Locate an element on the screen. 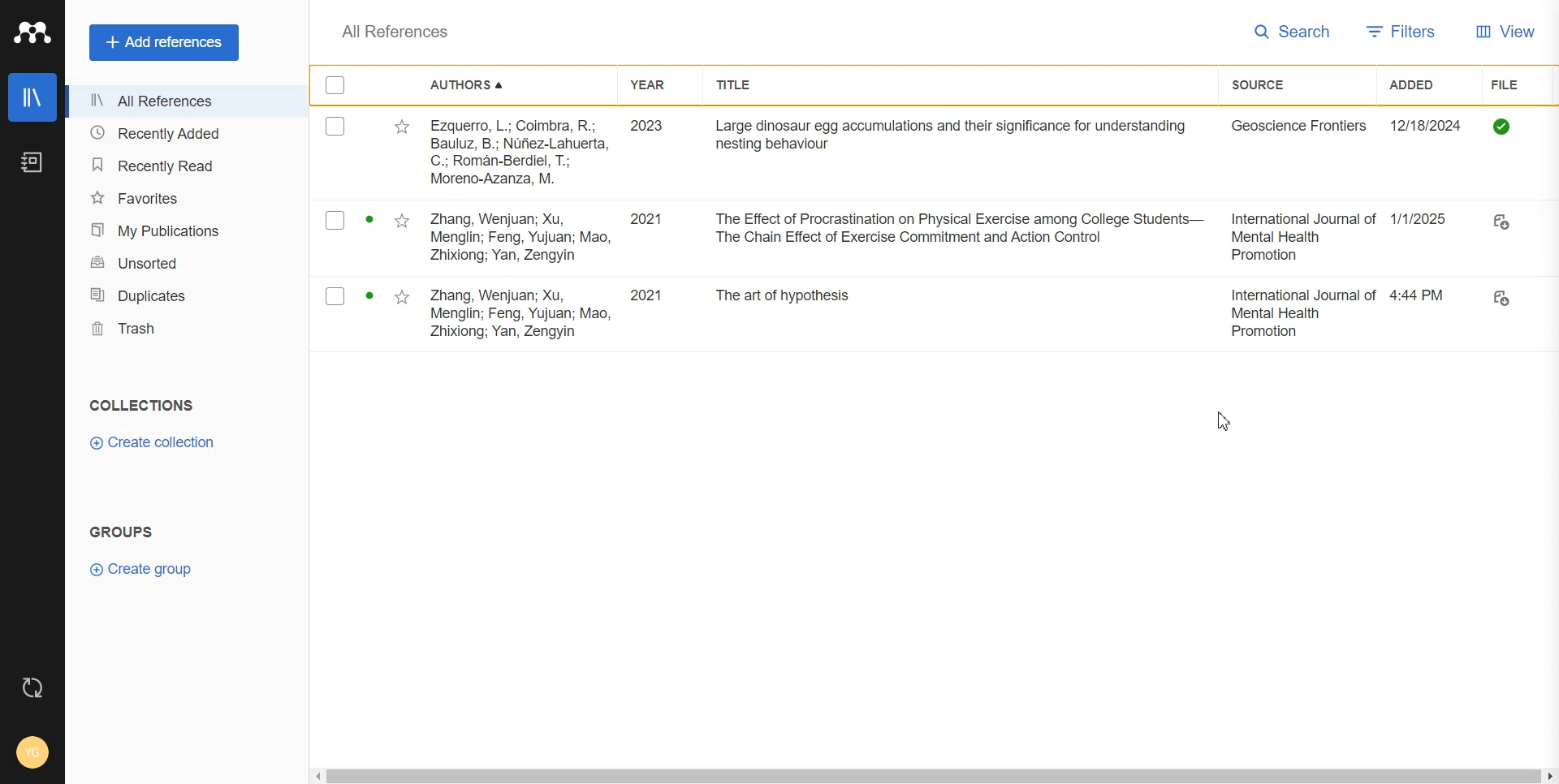 The width and height of the screenshot is (1559, 784). Add references is located at coordinates (165, 42).